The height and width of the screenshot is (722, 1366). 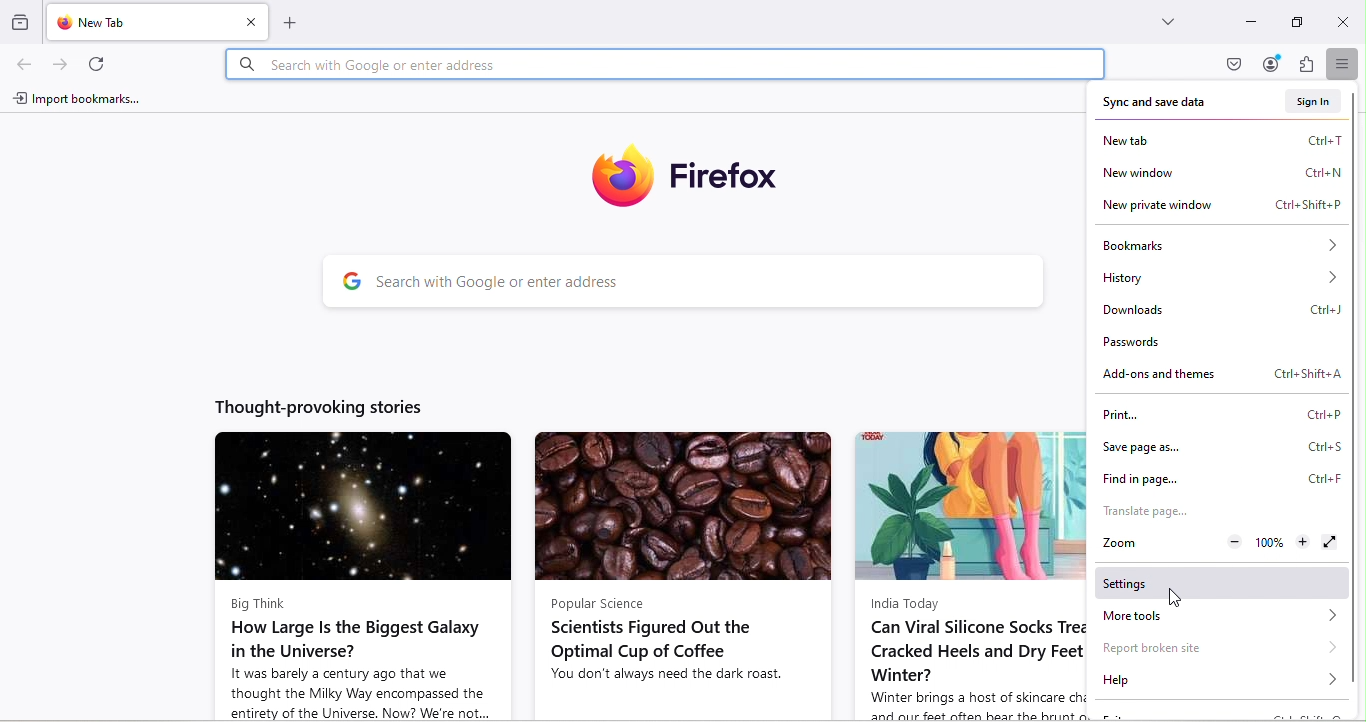 What do you see at coordinates (332, 409) in the screenshot?
I see `Thought-provoking stories` at bounding box center [332, 409].